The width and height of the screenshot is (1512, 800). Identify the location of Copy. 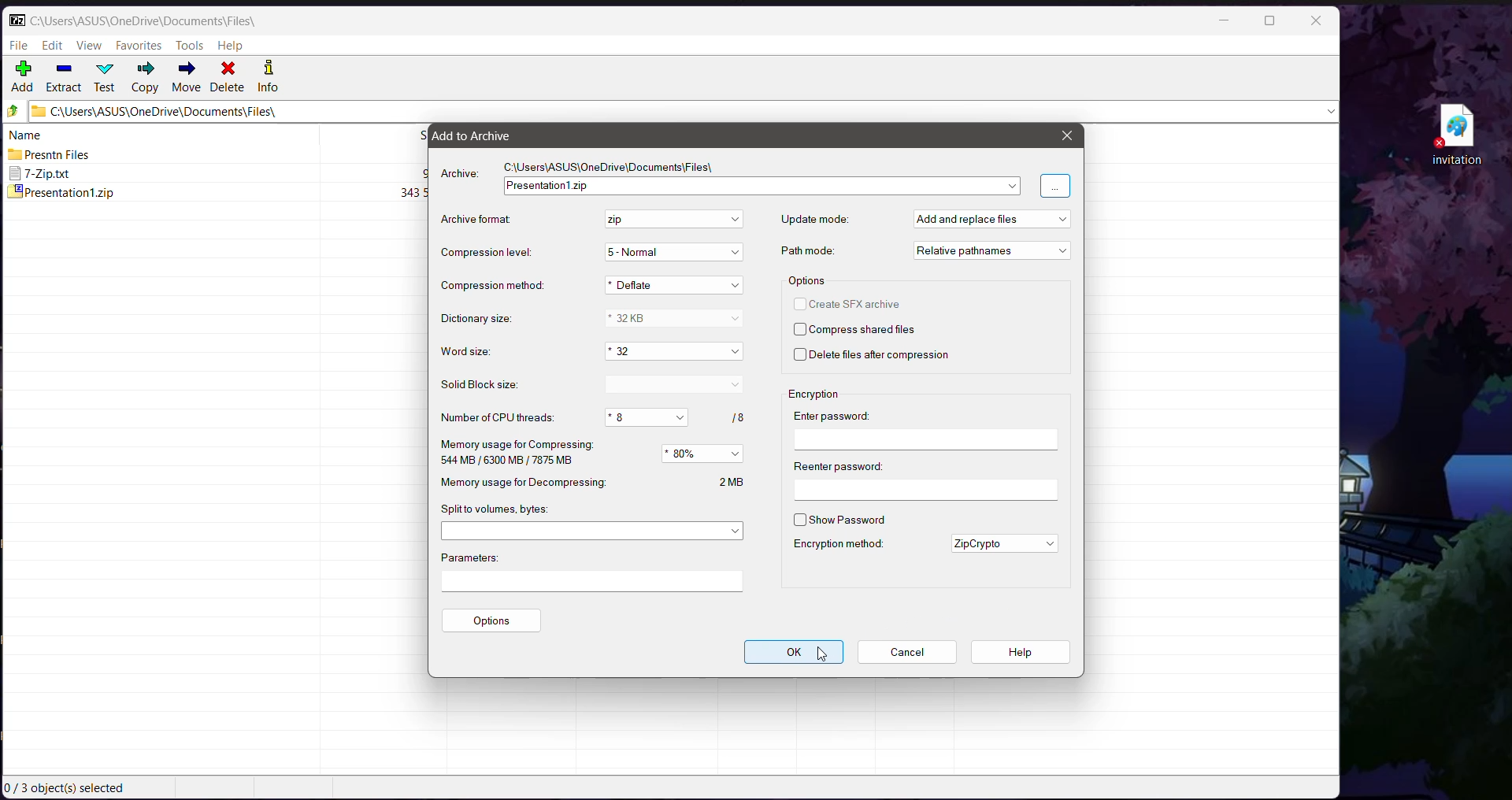
(145, 78).